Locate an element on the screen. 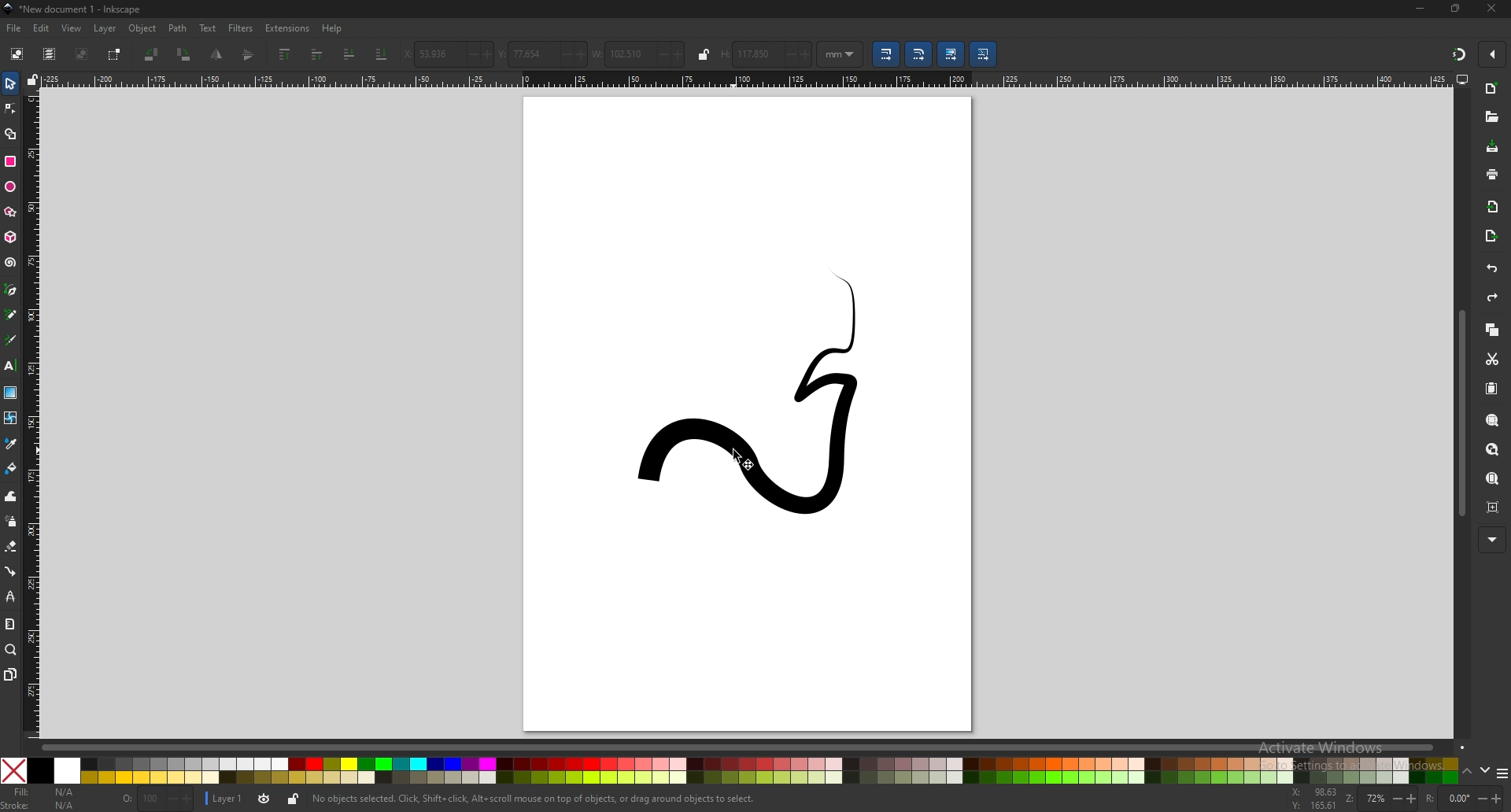 The width and height of the screenshot is (1511, 812). scale stroke is located at coordinates (885, 54).